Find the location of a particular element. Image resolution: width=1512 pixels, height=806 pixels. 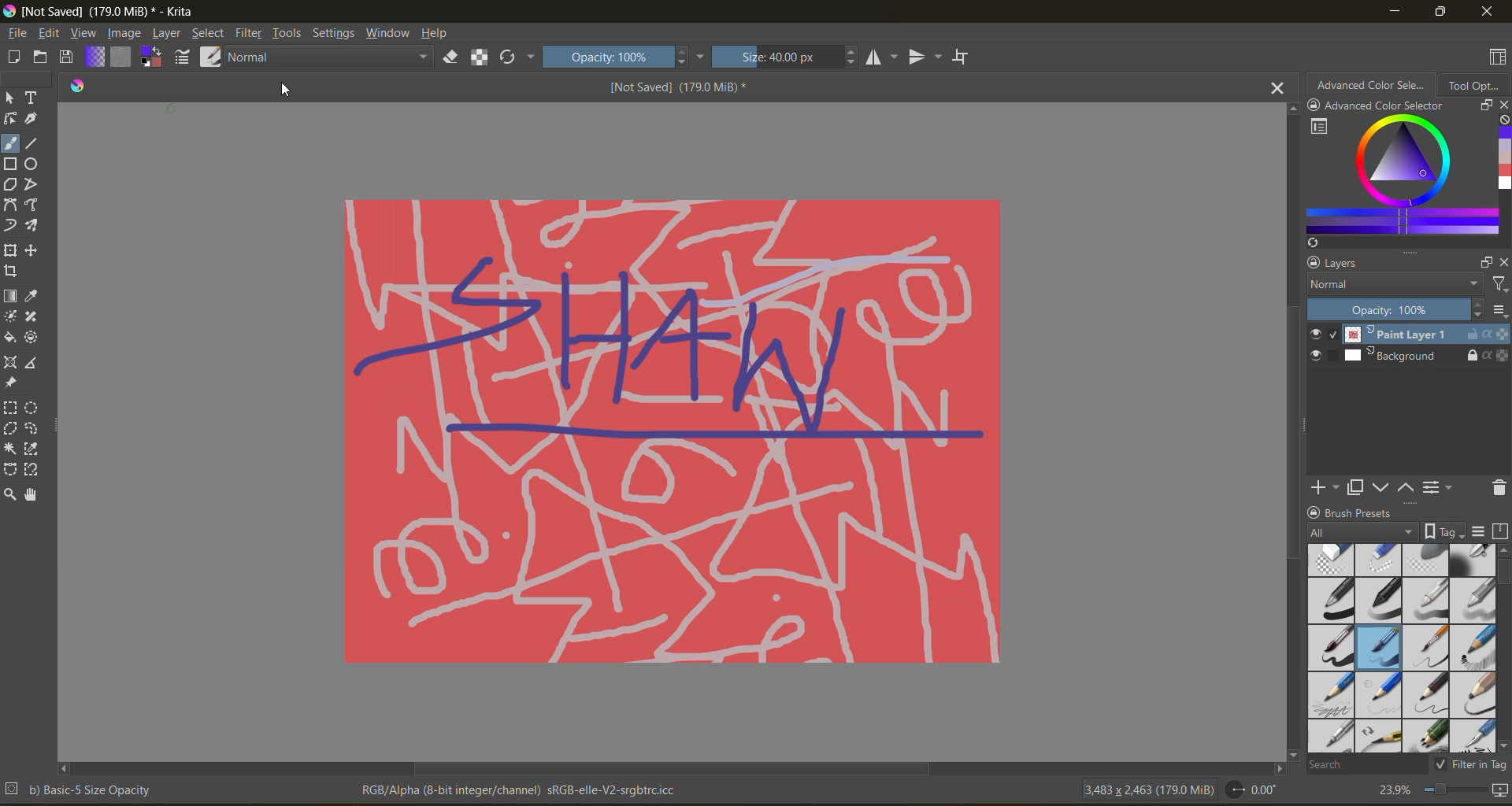

canvas with last action redone is located at coordinates (669, 438).